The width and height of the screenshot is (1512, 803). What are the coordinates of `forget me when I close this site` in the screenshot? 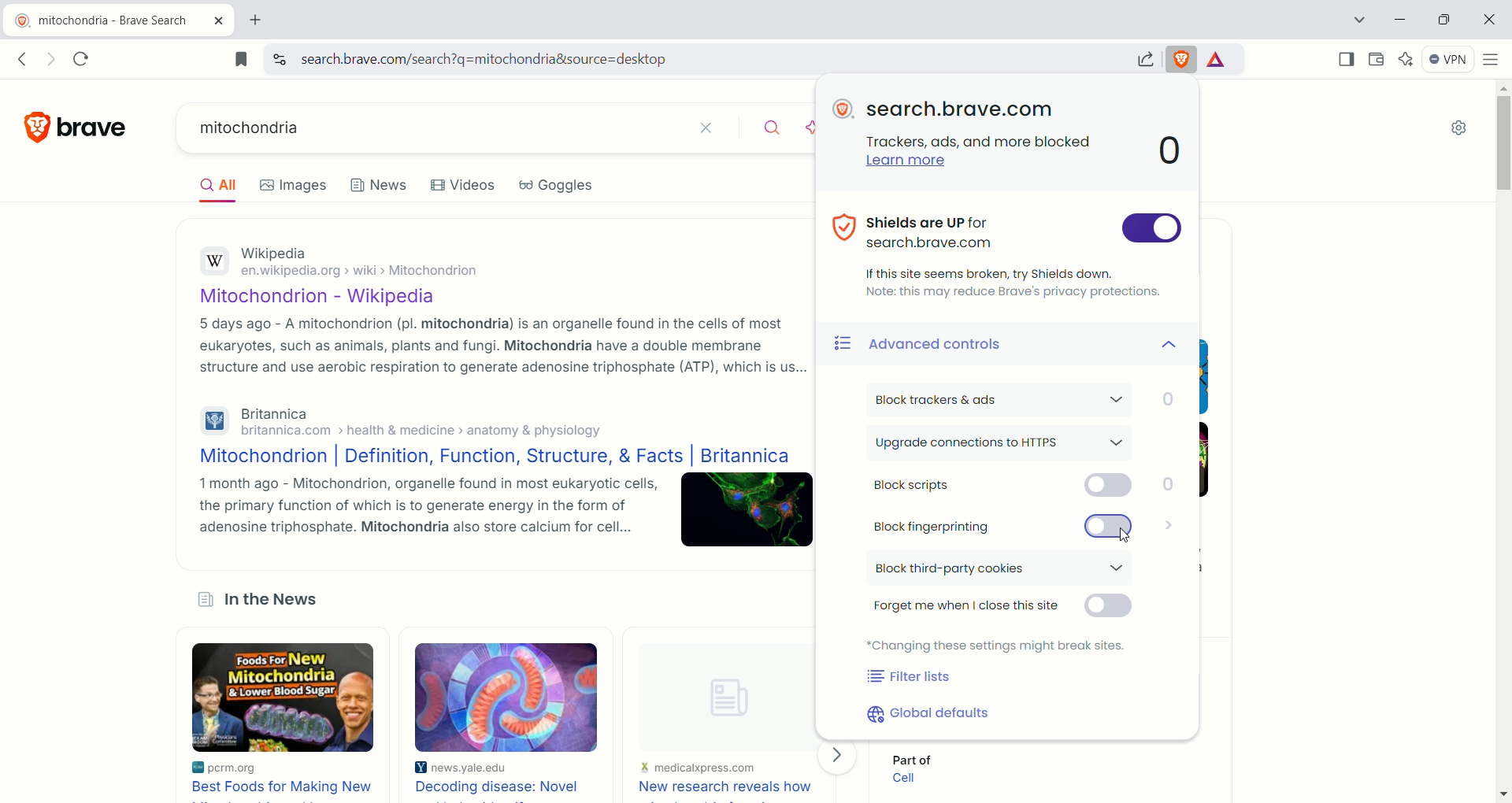 It's located at (1005, 609).